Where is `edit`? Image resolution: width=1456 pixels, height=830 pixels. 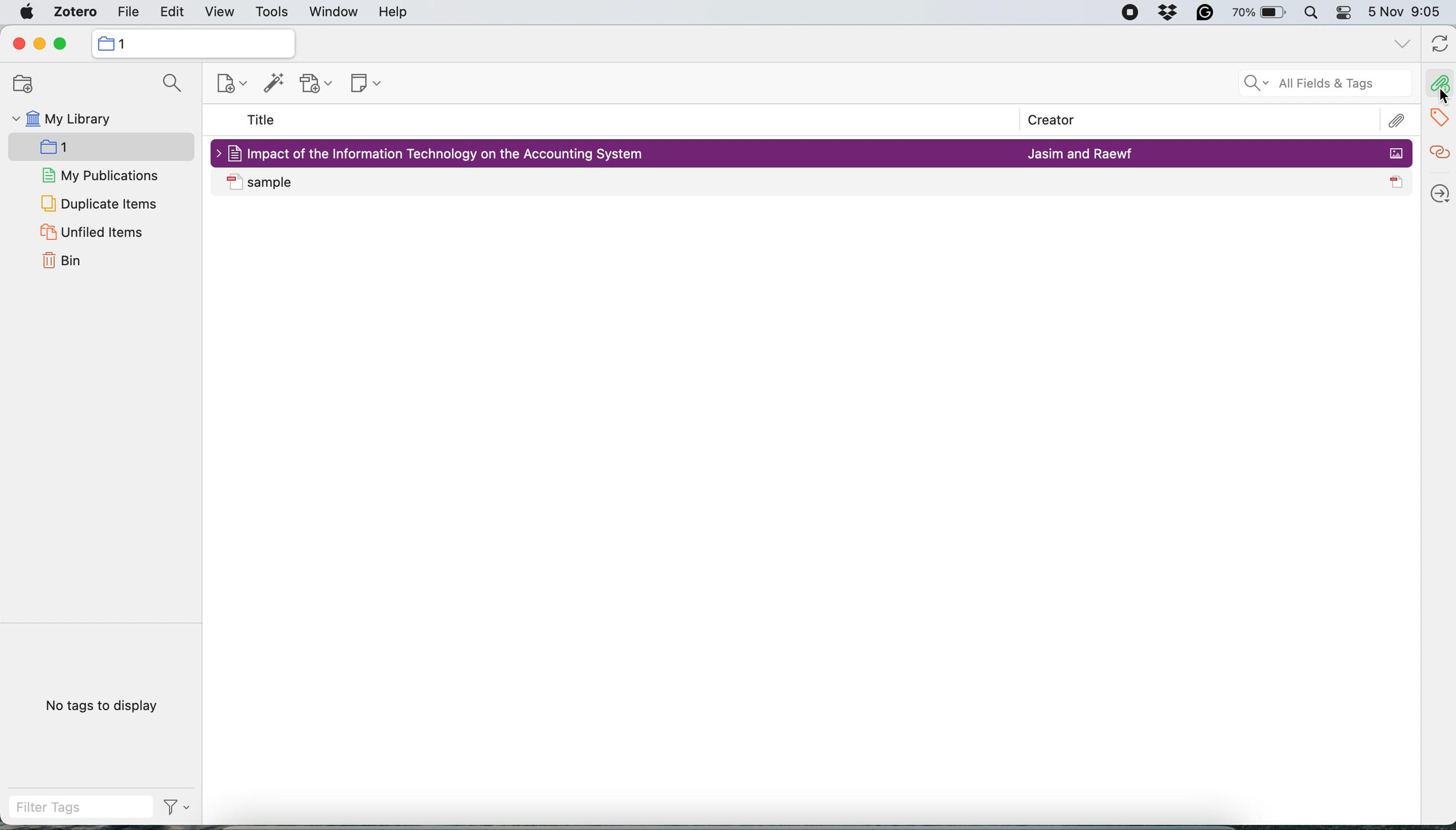 edit is located at coordinates (127, 14).